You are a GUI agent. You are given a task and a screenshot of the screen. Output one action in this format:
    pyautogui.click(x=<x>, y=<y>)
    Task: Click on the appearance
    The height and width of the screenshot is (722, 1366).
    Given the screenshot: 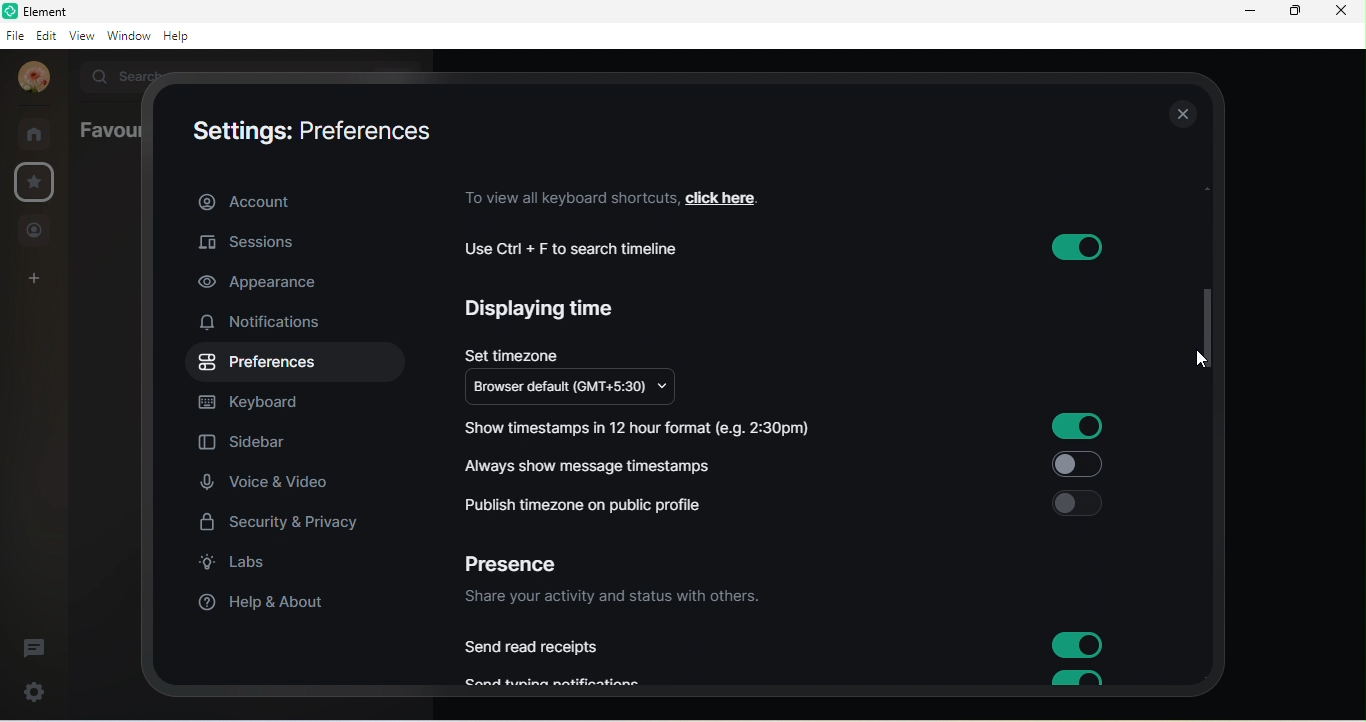 What is the action you would take?
    pyautogui.click(x=263, y=284)
    